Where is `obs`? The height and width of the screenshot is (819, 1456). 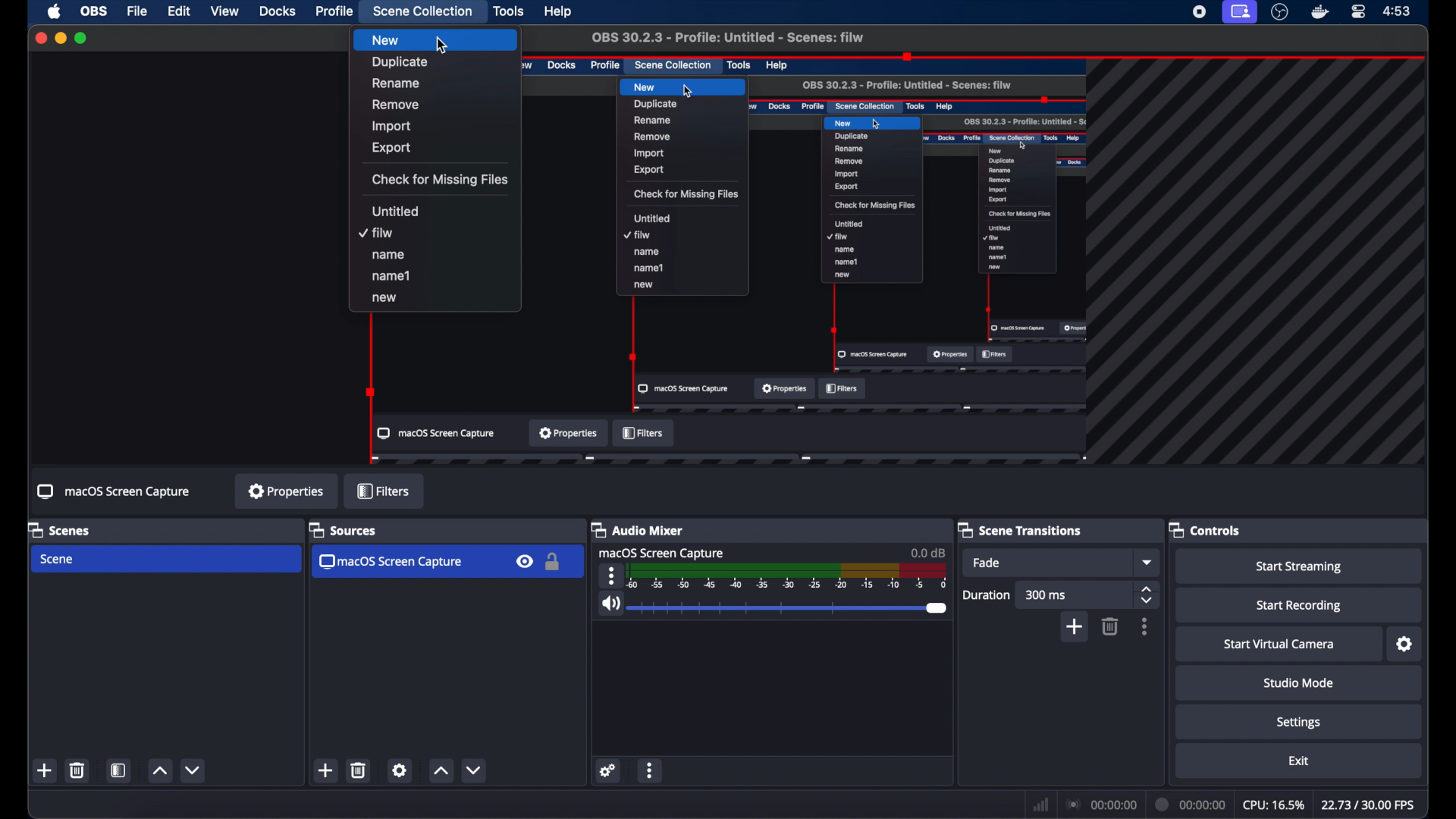 obs is located at coordinates (94, 11).